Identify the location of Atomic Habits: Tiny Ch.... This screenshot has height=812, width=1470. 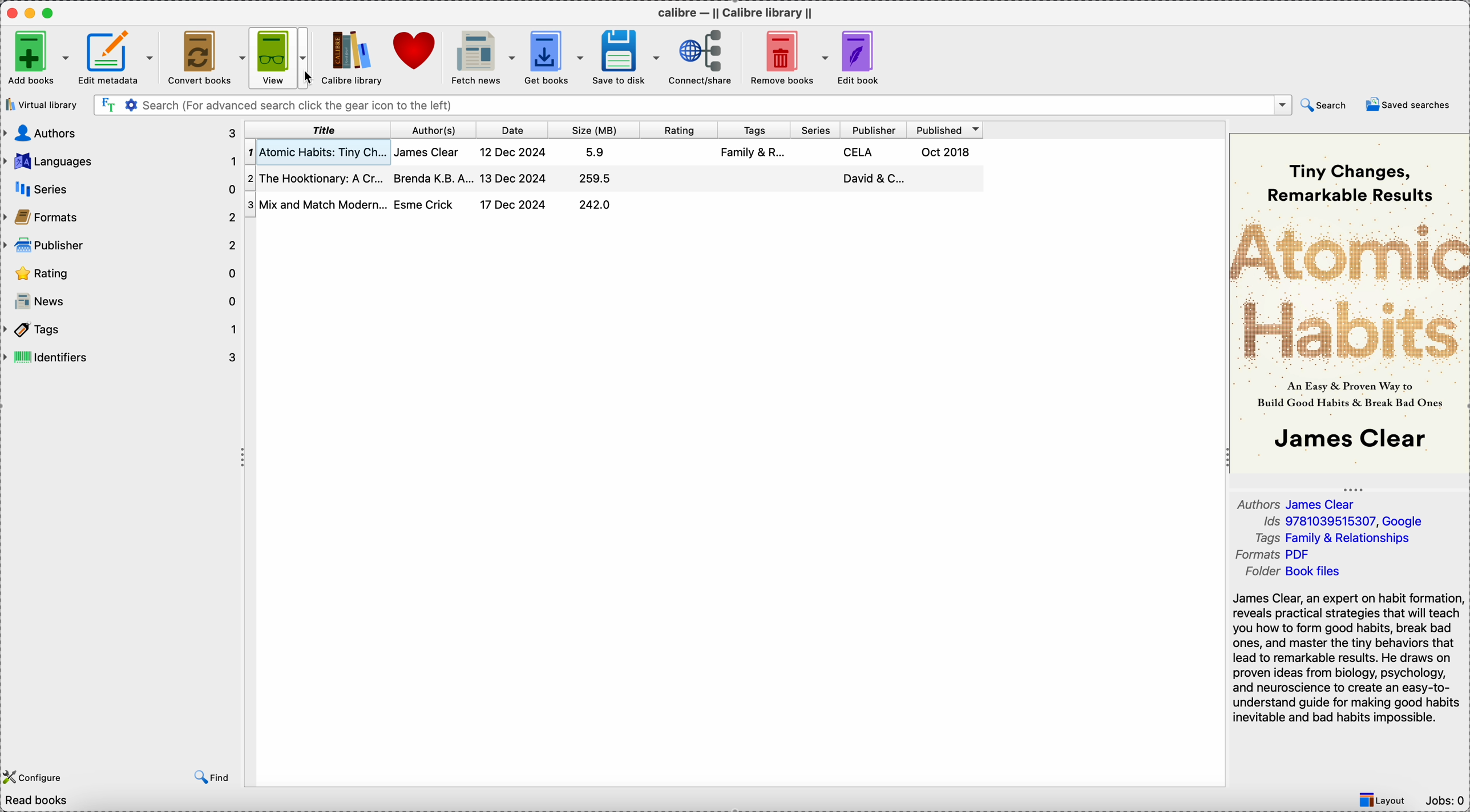
(316, 151).